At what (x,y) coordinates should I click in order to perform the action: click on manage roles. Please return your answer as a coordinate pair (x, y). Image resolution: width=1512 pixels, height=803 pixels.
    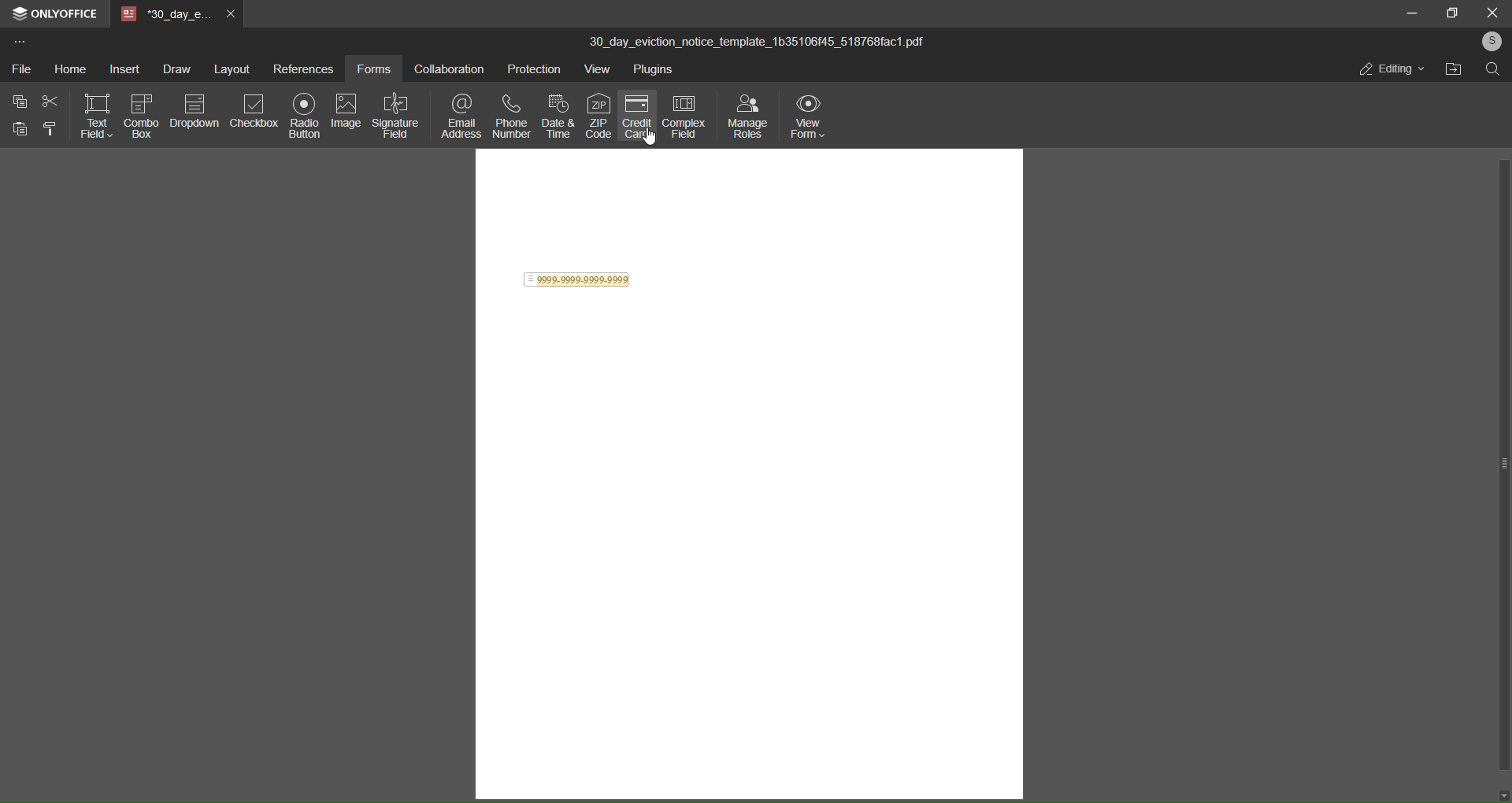
    Looking at the image, I should click on (747, 117).